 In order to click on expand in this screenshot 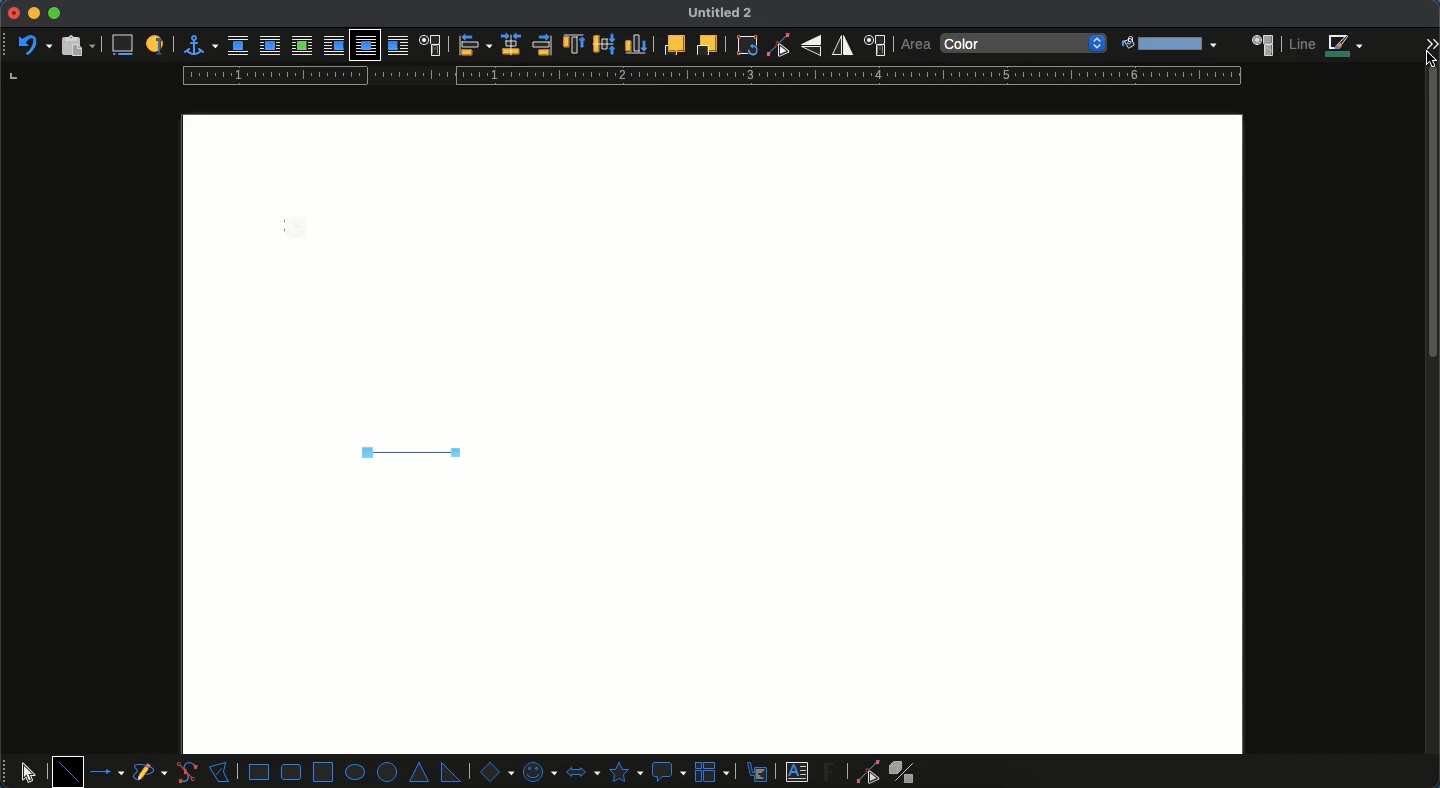, I will do `click(1432, 39)`.